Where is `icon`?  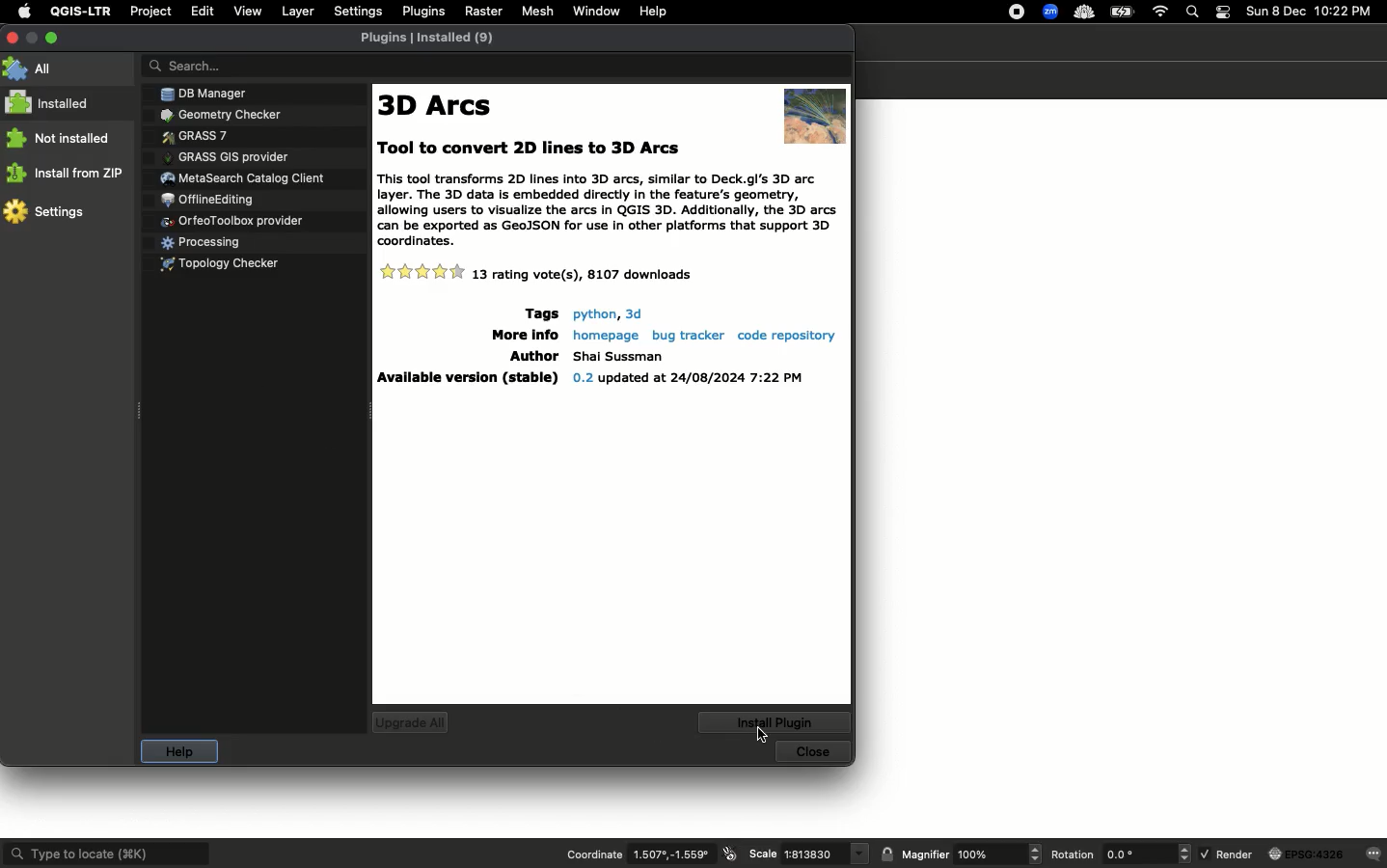
icon is located at coordinates (731, 854).